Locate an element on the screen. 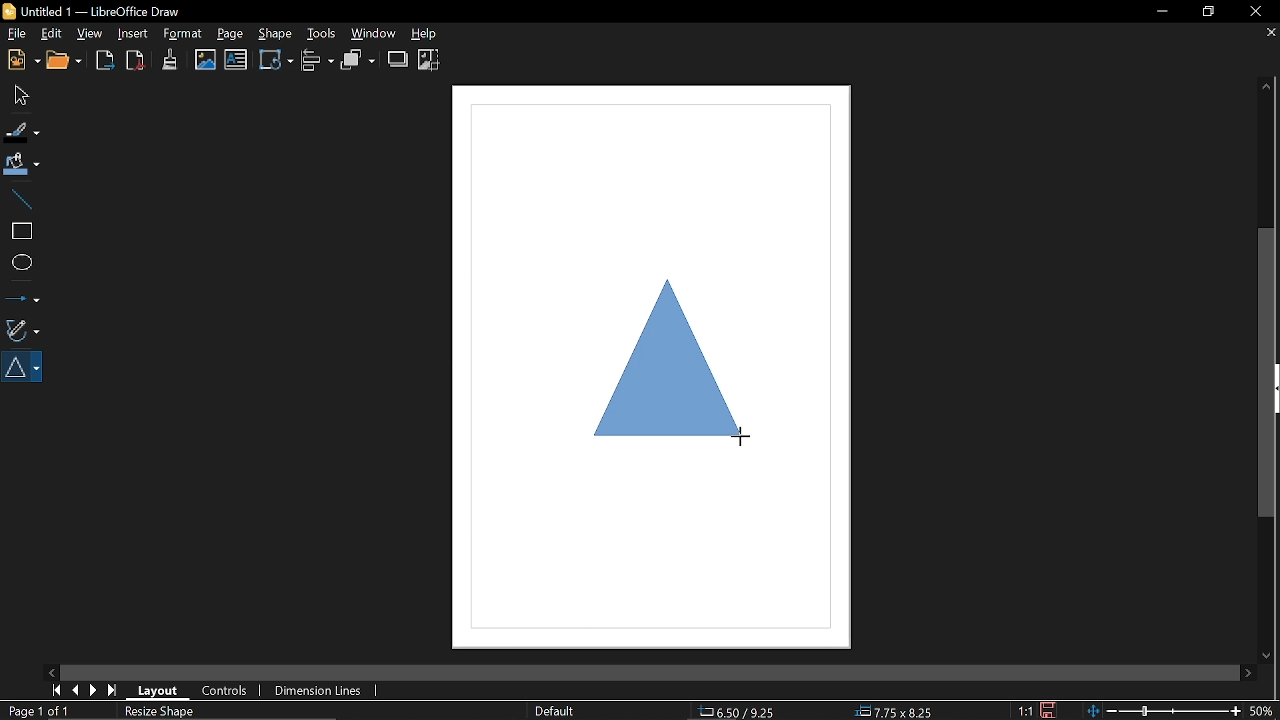  Lines and arrows is located at coordinates (22, 295).